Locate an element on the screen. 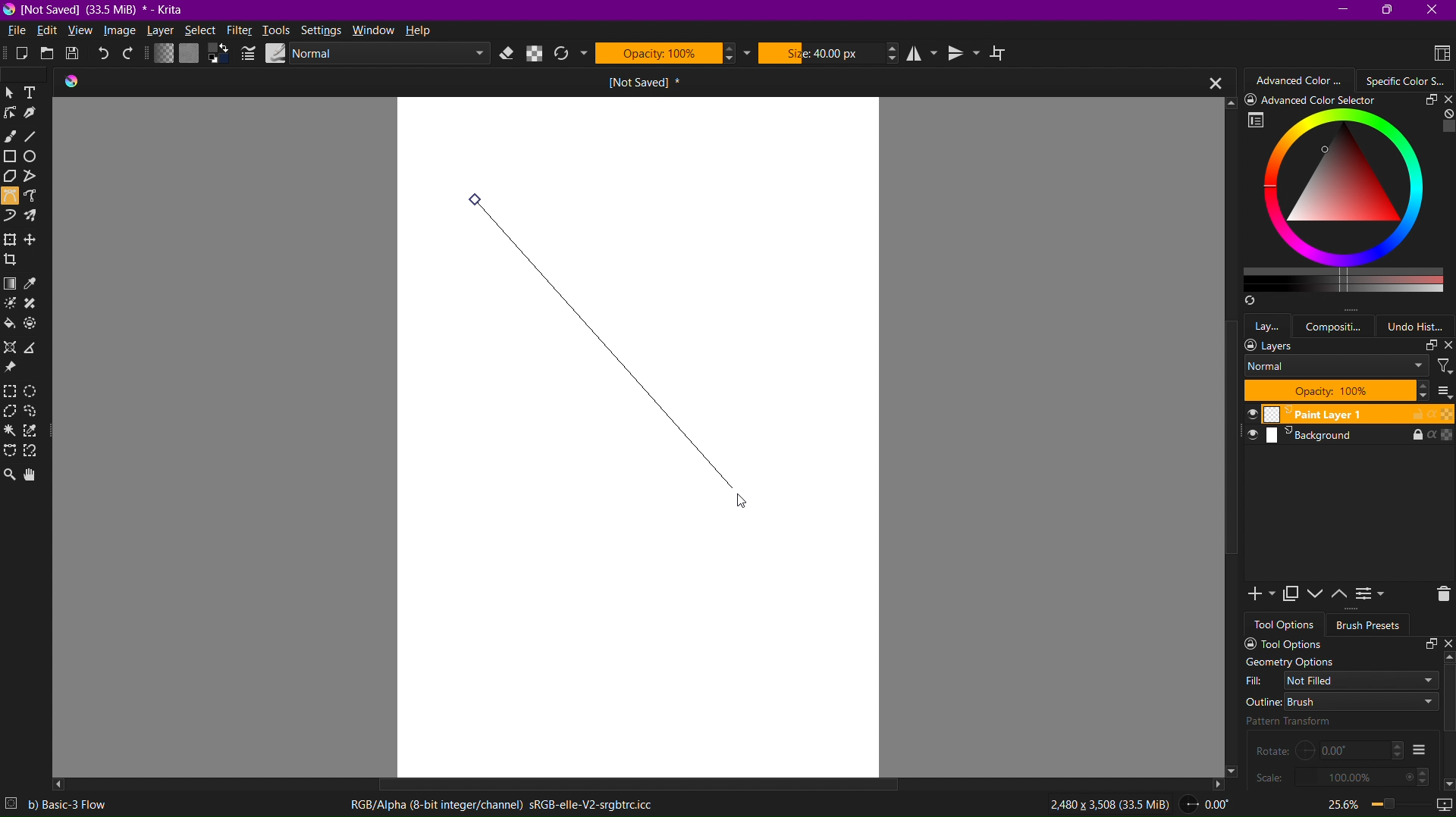 This screenshot has height=817, width=1456. Pattern Transform is located at coordinates (1319, 721).